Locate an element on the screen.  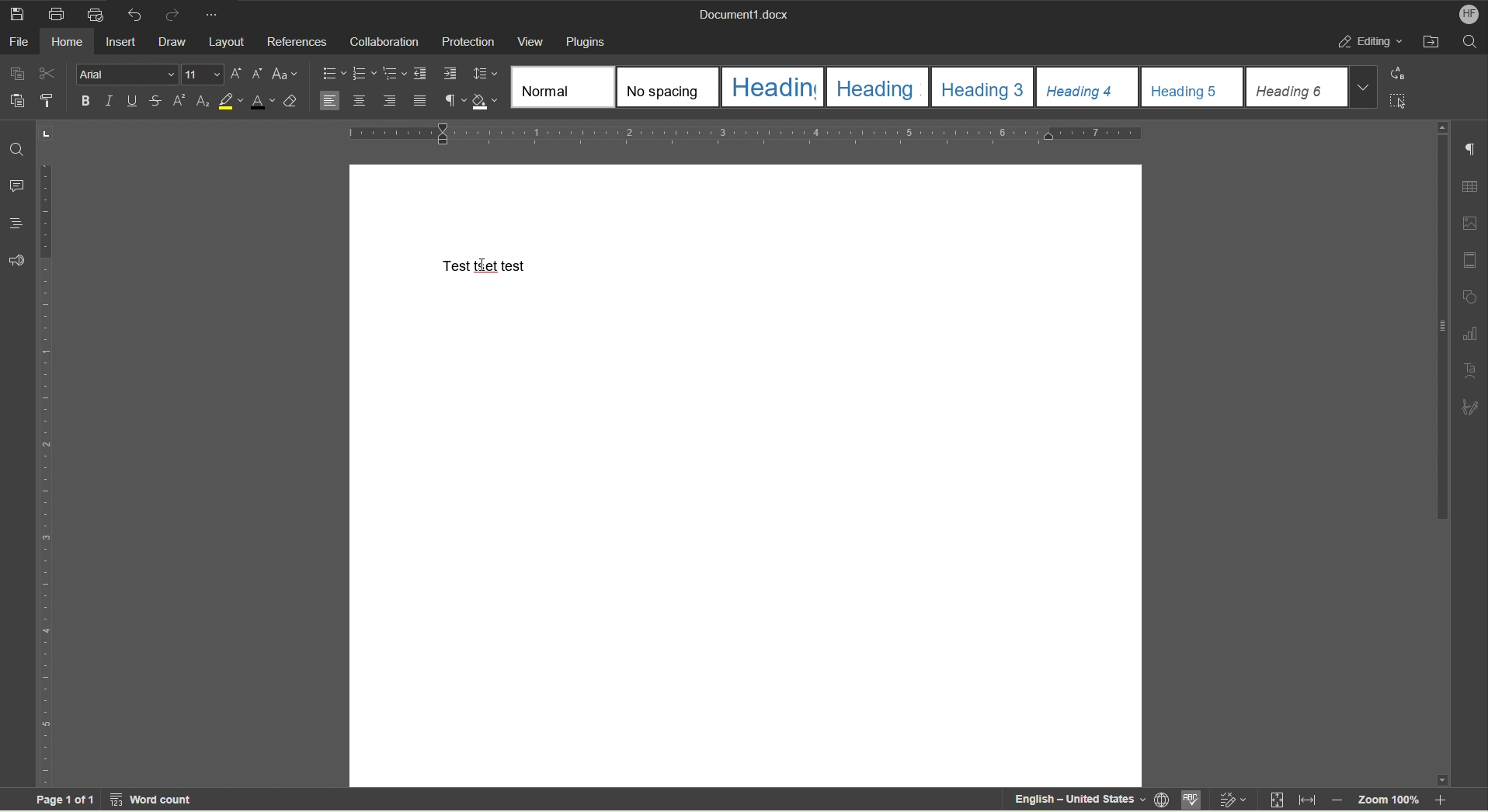
Protection is located at coordinates (469, 40).